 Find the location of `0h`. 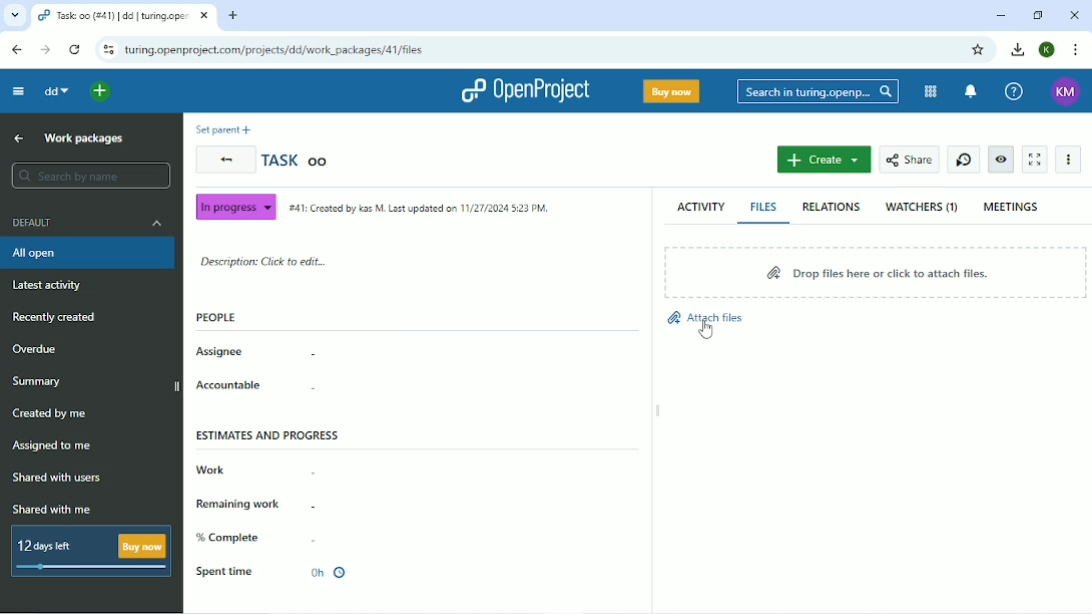

0h is located at coordinates (327, 573).